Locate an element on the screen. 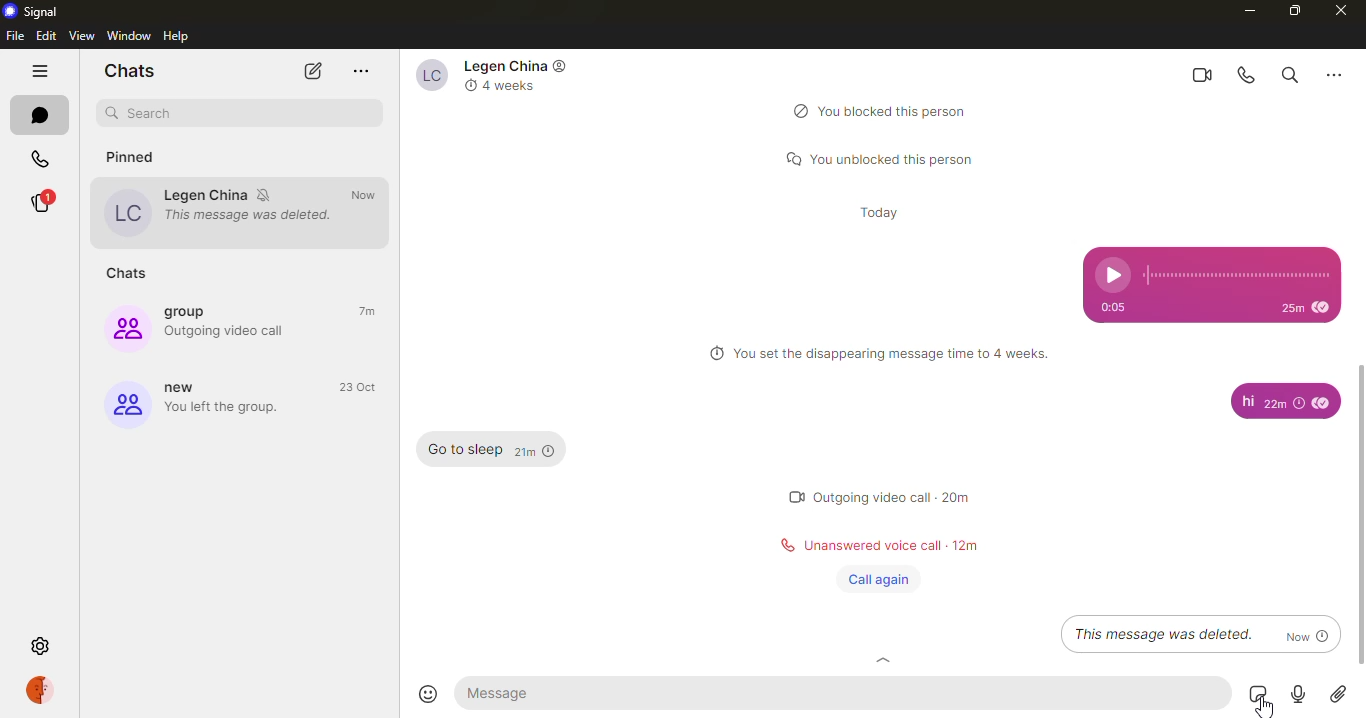  Legen China is located at coordinates (206, 195).